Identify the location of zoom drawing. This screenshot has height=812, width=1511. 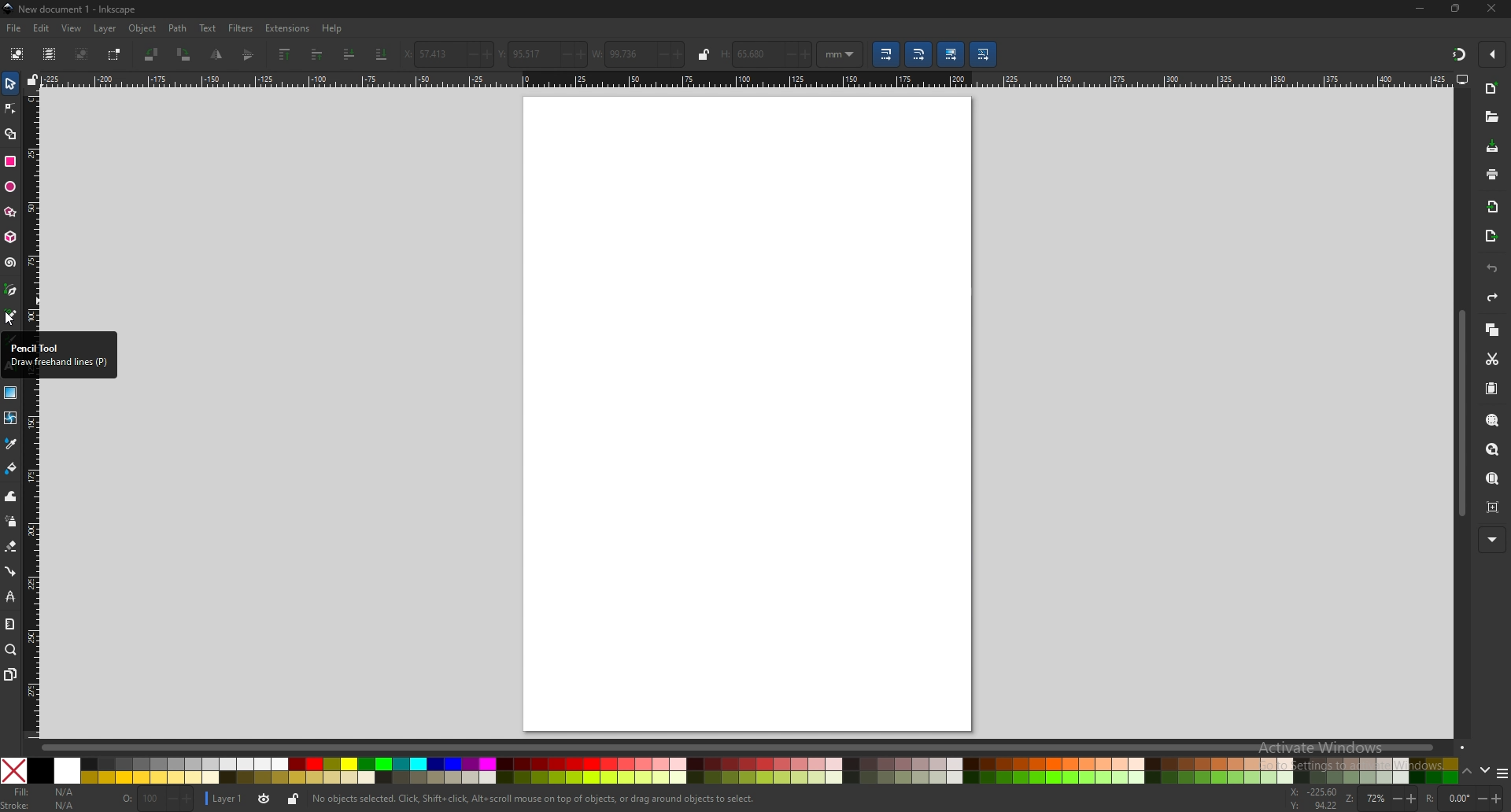
(1493, 451).